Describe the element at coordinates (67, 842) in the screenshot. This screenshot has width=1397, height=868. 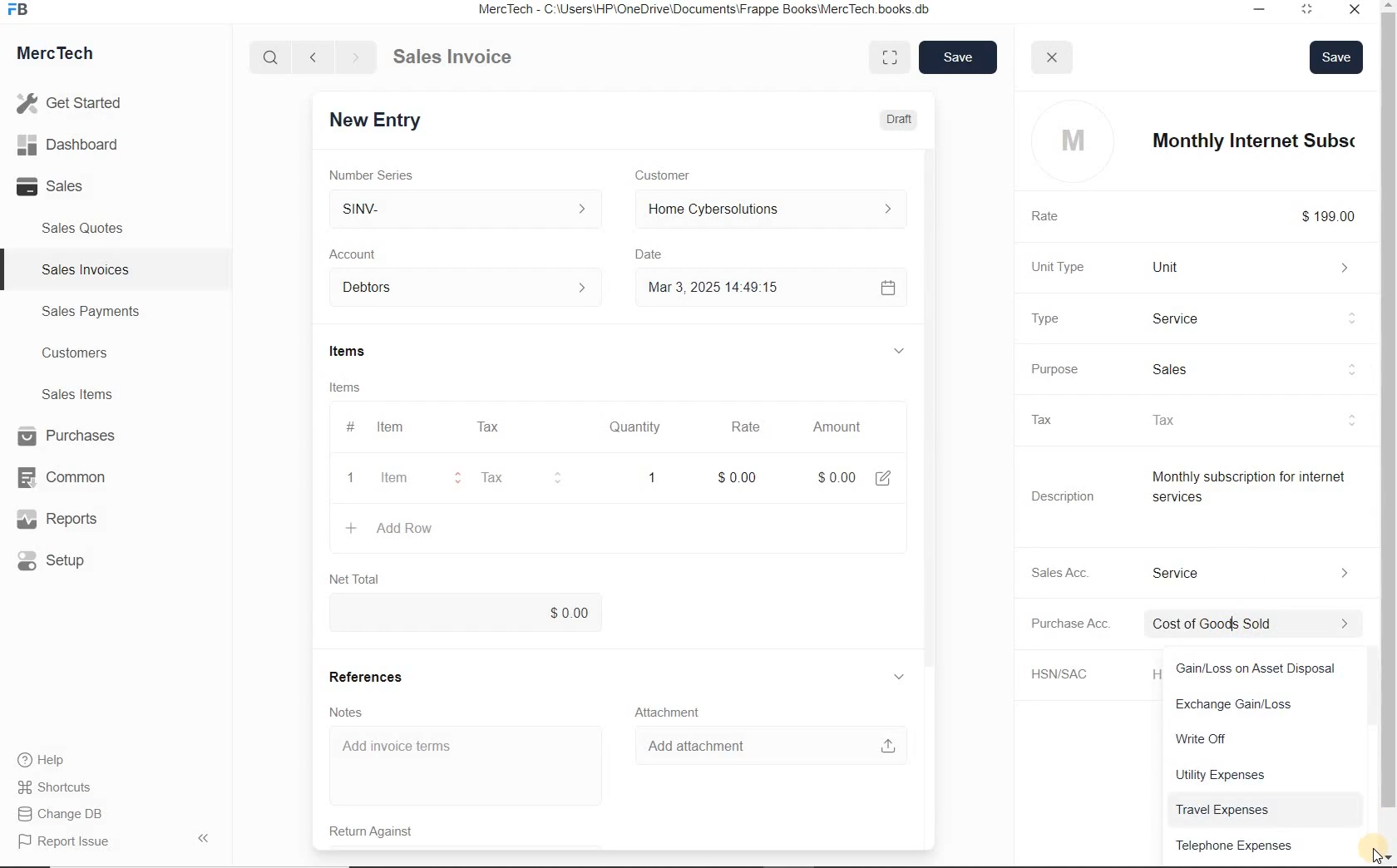
I see `Report Issue` at that location.